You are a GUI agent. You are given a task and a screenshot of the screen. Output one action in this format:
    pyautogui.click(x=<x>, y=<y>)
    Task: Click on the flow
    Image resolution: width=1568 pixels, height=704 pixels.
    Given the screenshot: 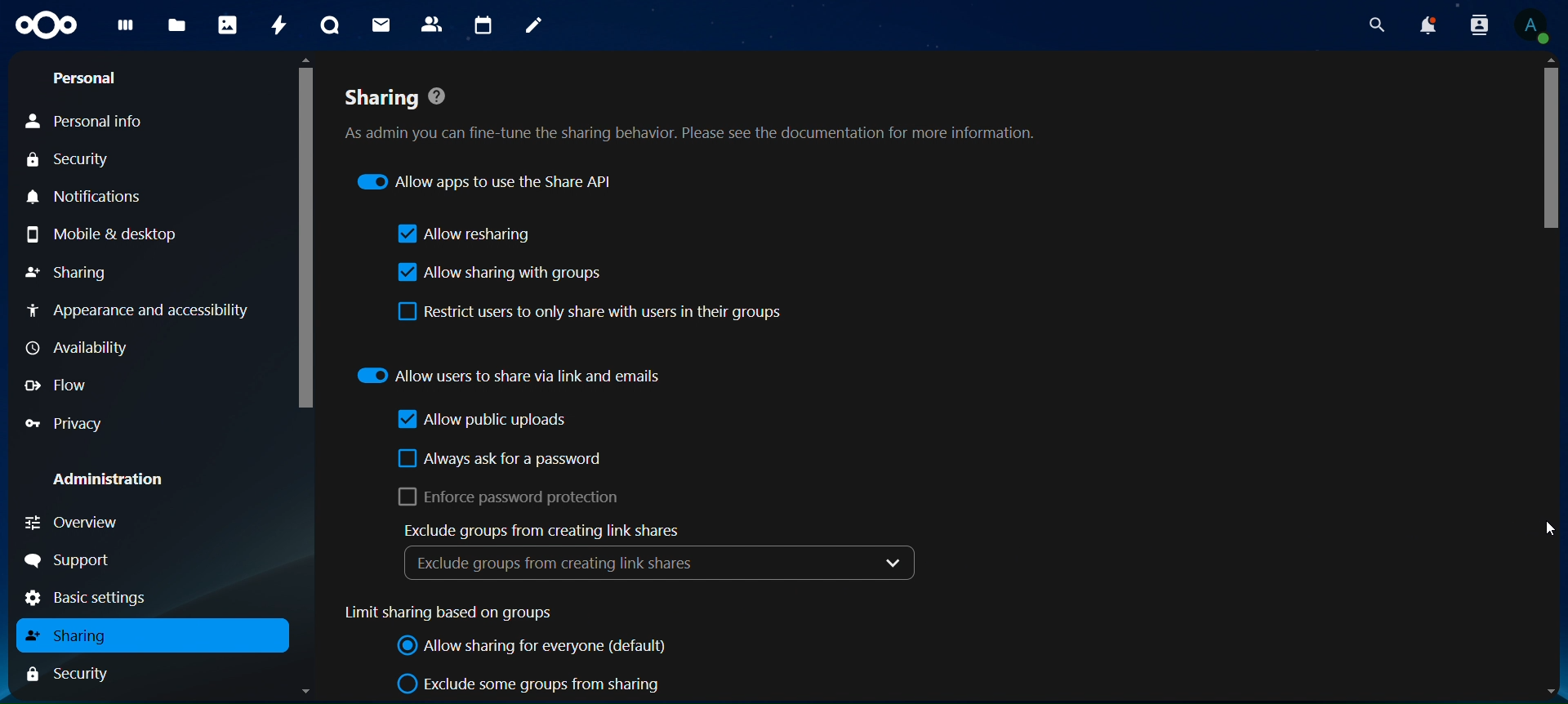 What is the action you would take?
    pyautogui.click(x=56, y=385)
    